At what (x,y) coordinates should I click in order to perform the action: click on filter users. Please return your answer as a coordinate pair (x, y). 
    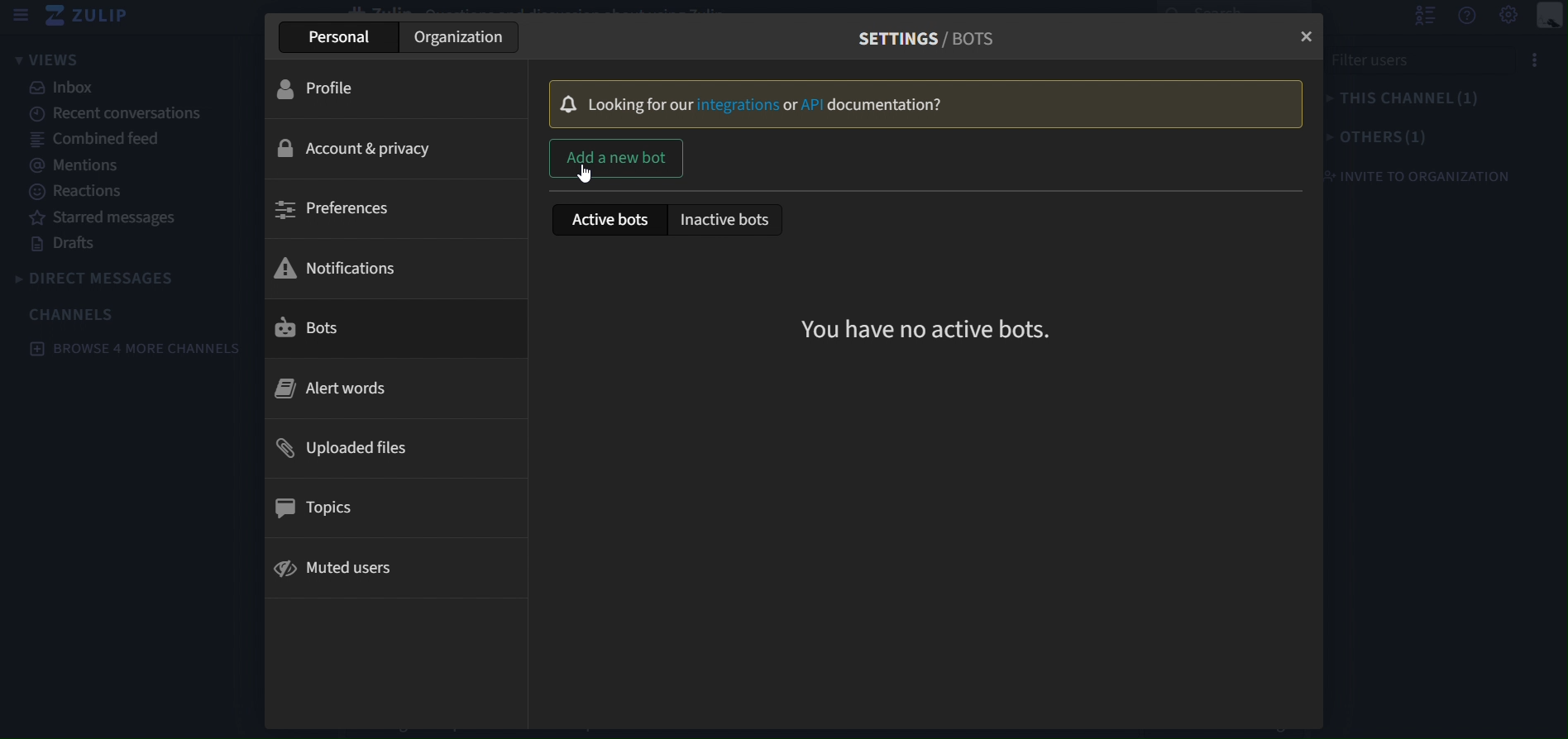
    Looking at the image, I should click on (1432, 65).